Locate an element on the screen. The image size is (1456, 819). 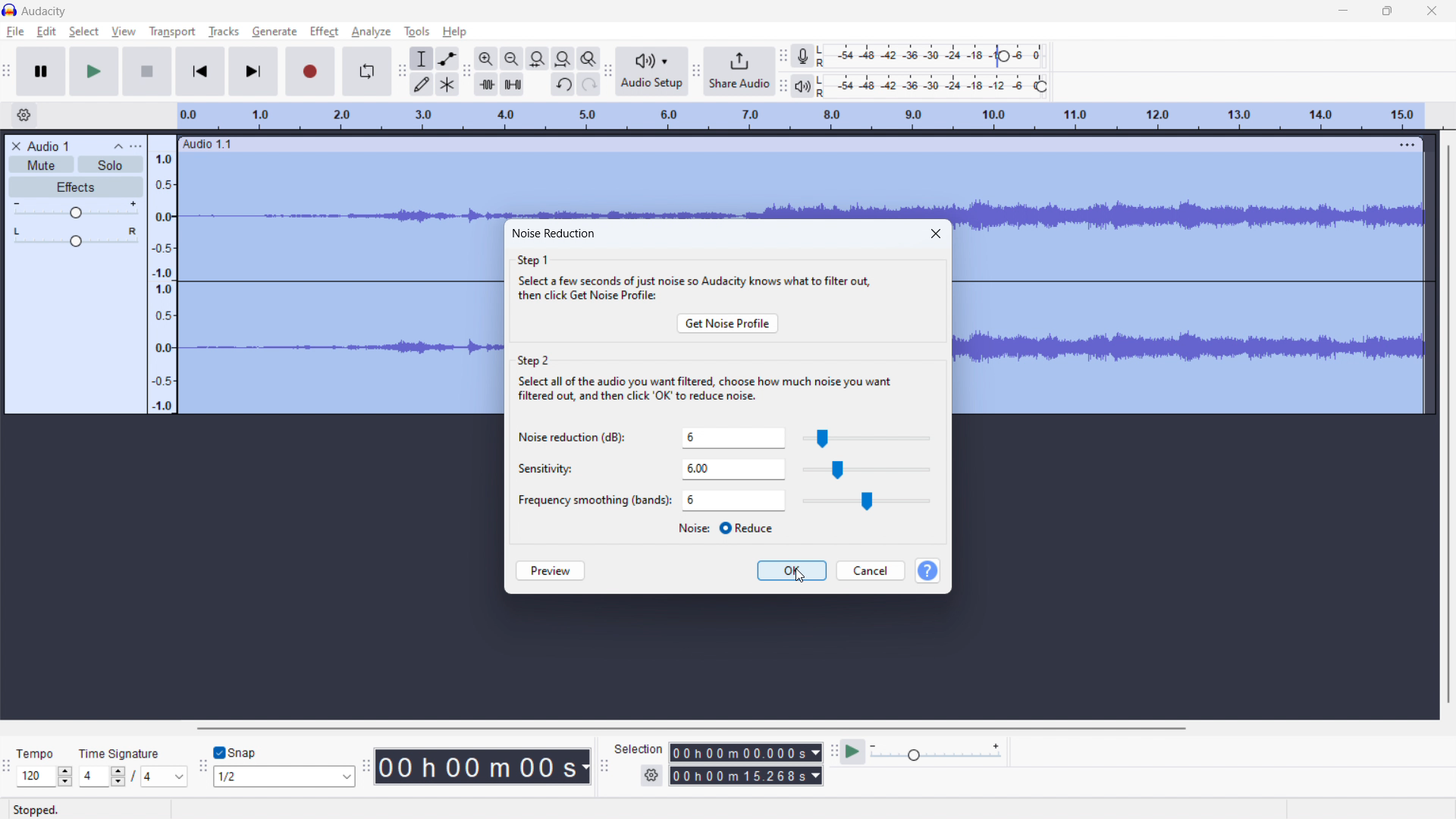
volume is located at coordinates (76, 209).